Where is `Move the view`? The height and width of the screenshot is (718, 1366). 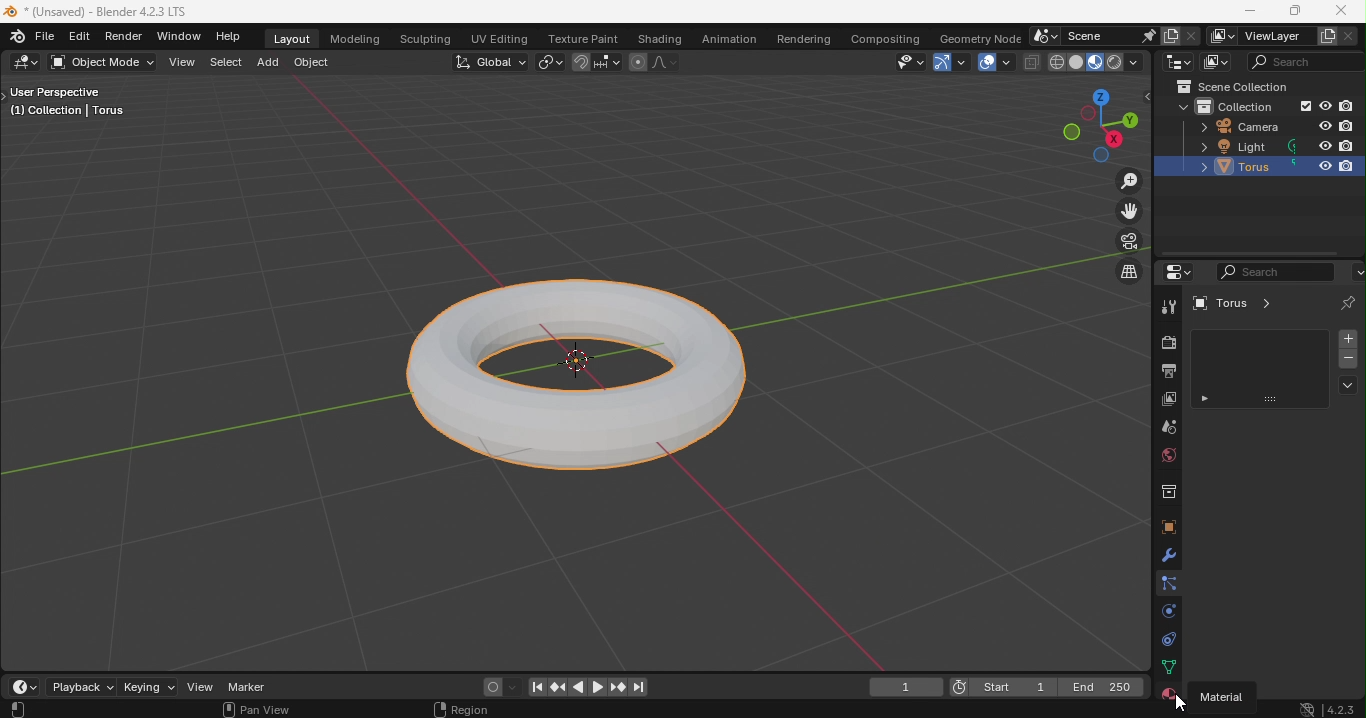 Move the view is located at coordinates (1128, 210).